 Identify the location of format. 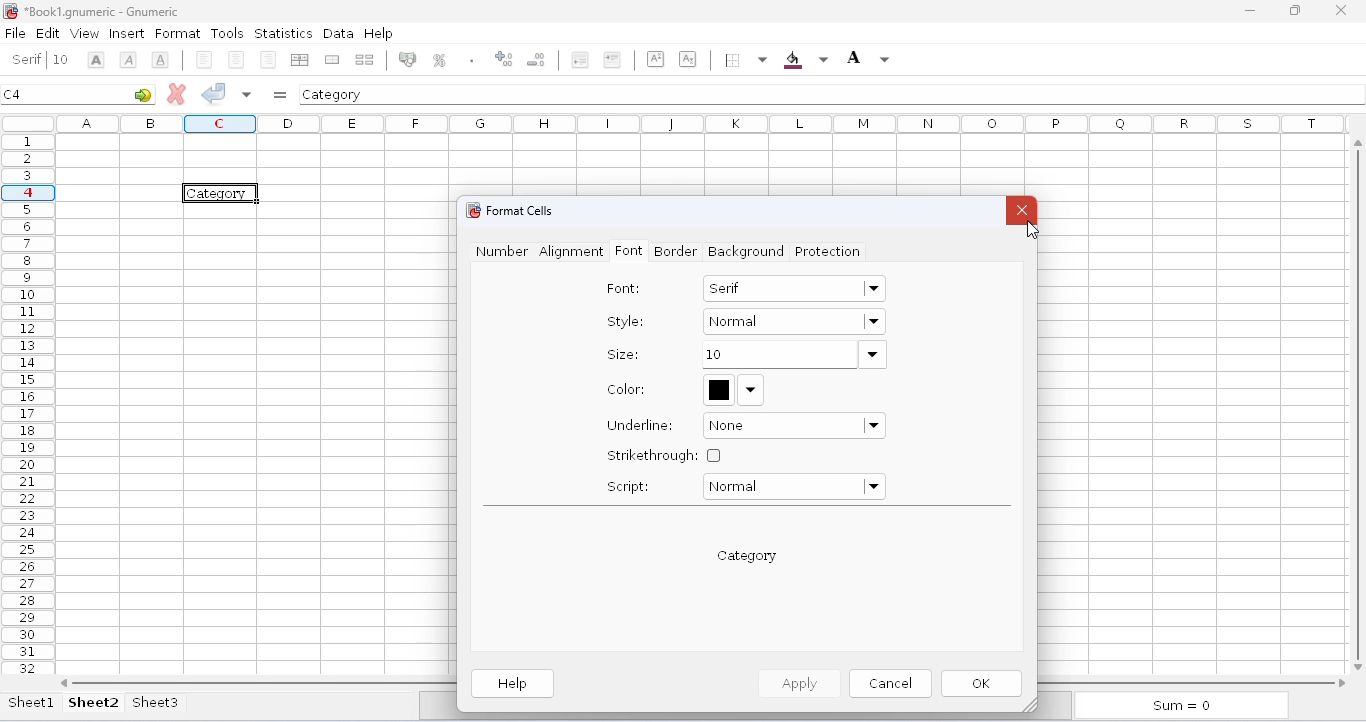
(178, 34).